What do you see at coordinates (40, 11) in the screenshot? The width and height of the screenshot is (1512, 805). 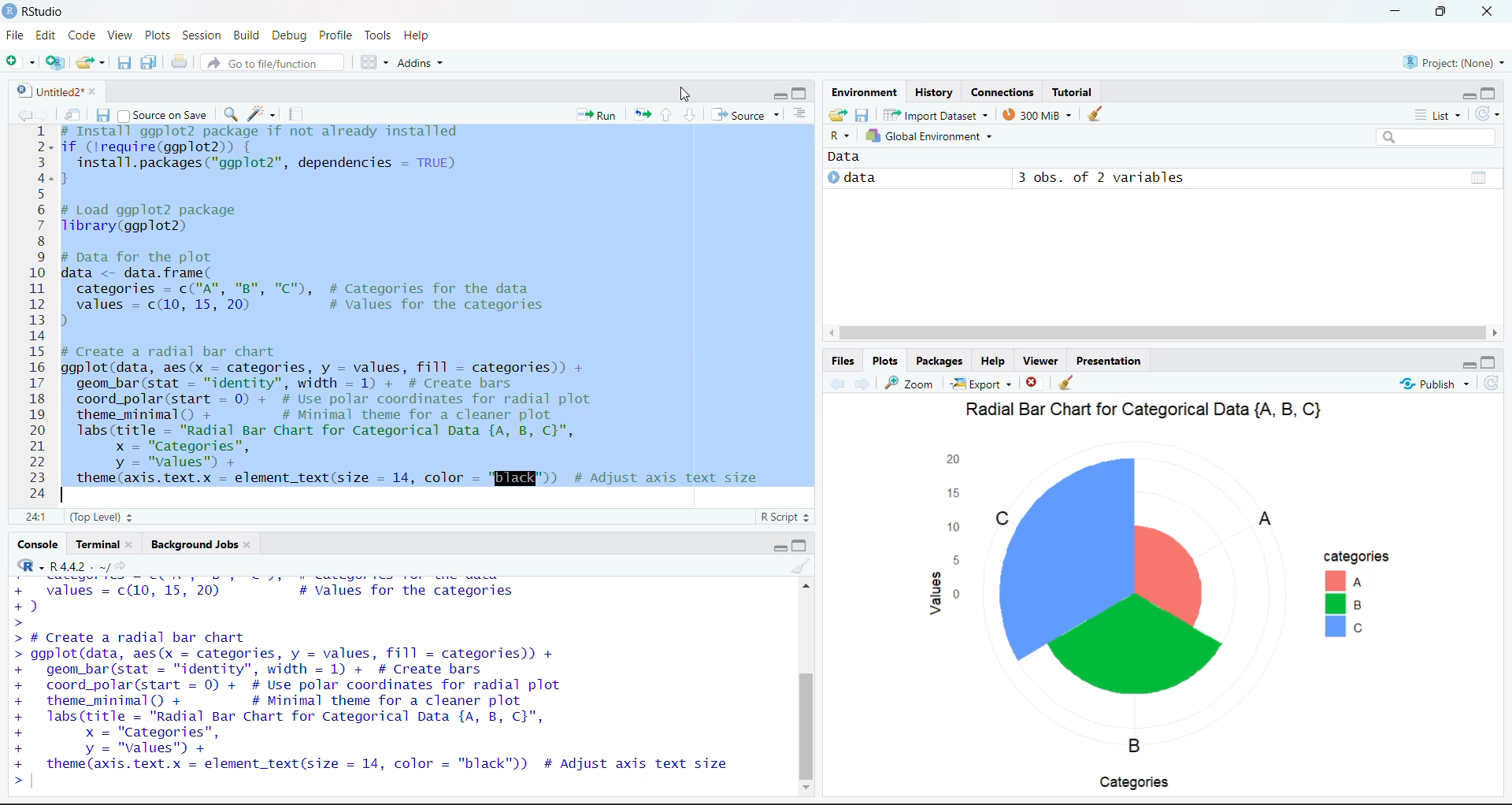 I see `RStudio` at bounding box center [40, 11].